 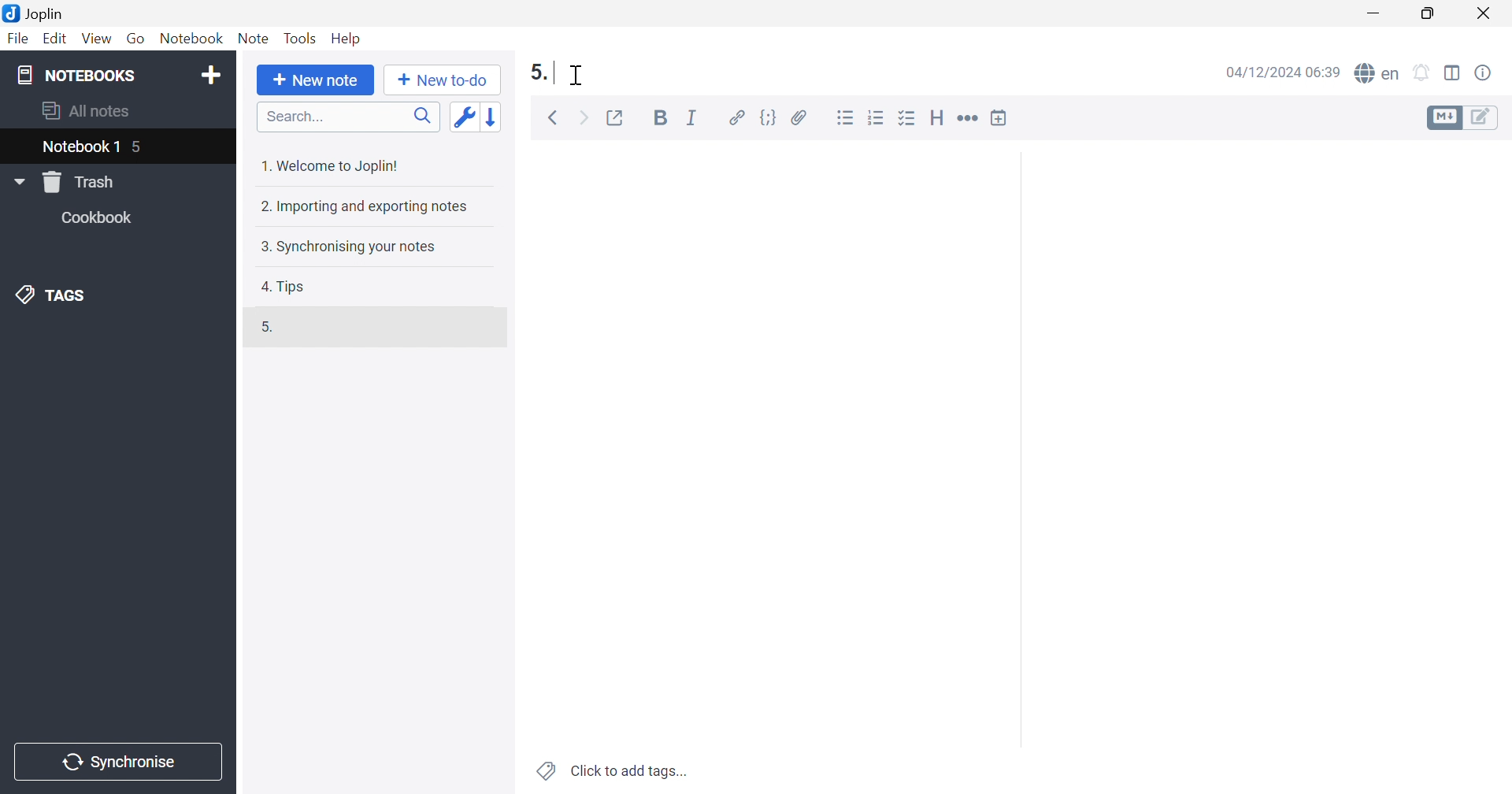 What do you see at coordinates (845, 118) in the screenshot?
I see `Bulleted list` at bounding box center [845, 118].